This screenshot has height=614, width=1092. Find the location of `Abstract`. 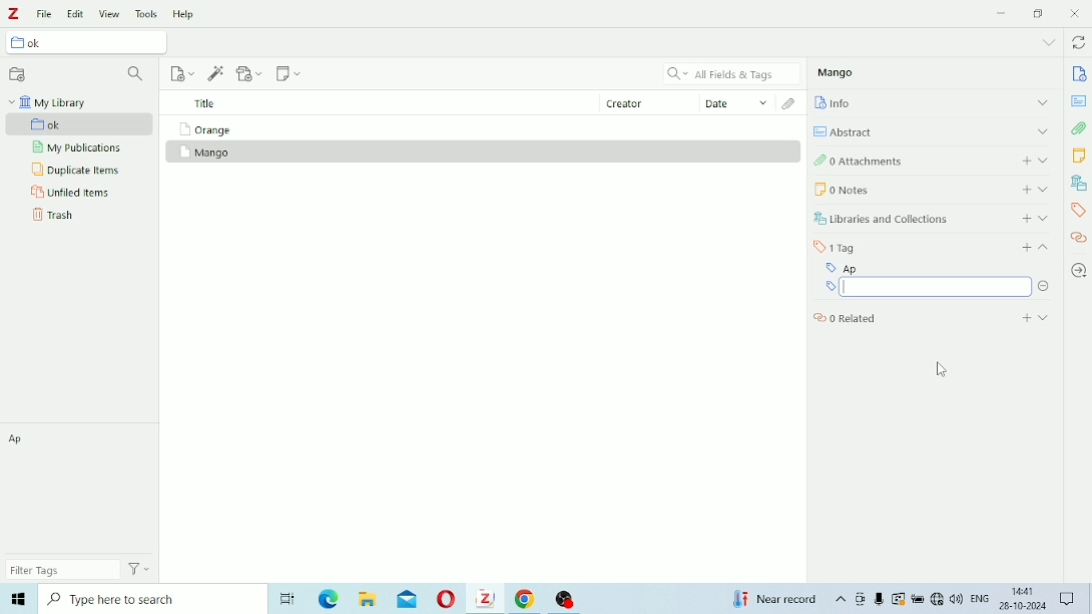

Abstract is located at coordinates (1079, 101).